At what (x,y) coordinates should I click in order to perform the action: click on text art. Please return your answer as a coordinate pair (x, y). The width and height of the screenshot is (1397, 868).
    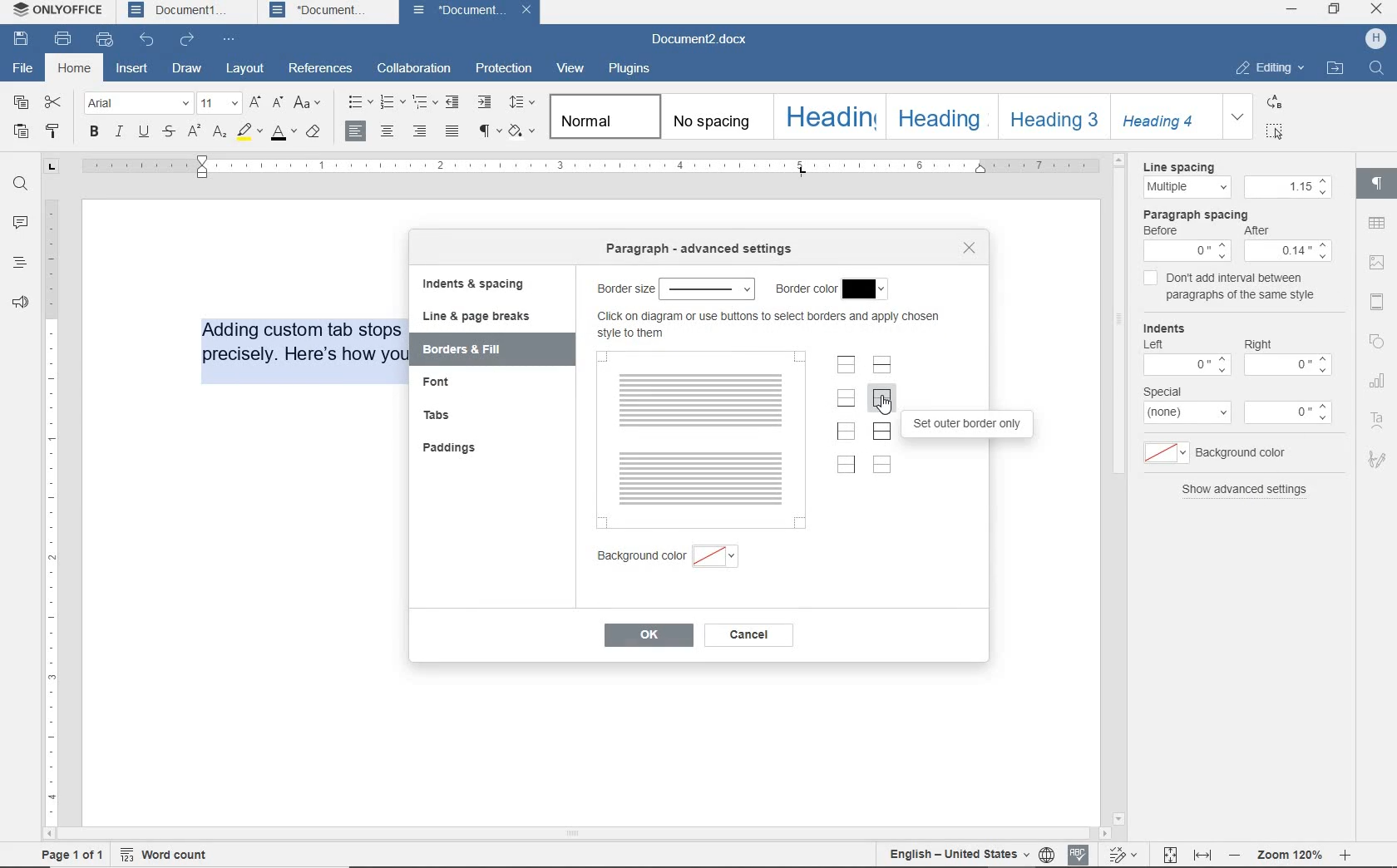
    Looking at the image, I should click on (1379, 414).